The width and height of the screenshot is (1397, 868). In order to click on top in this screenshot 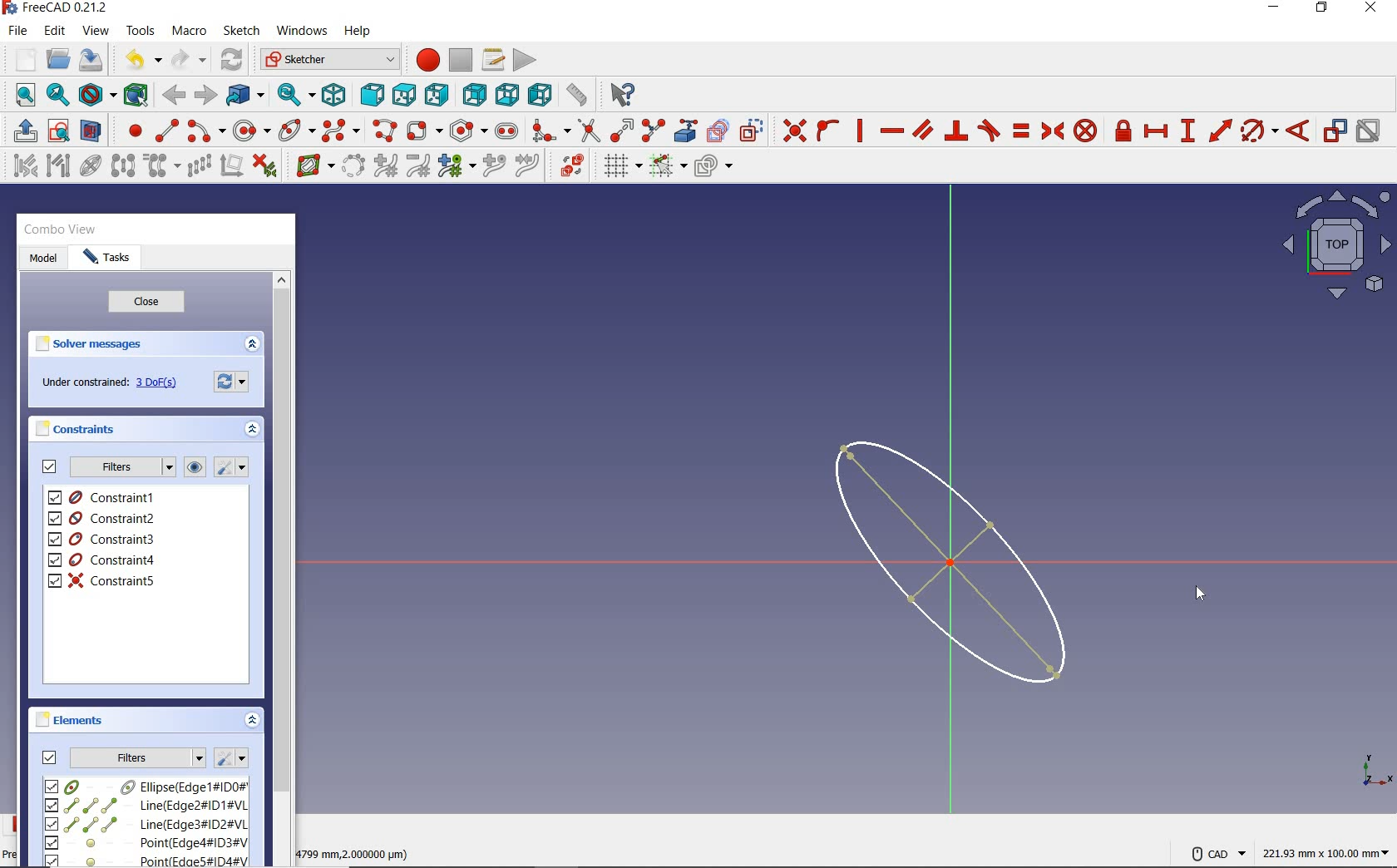, I will do `click(403, 91)`.